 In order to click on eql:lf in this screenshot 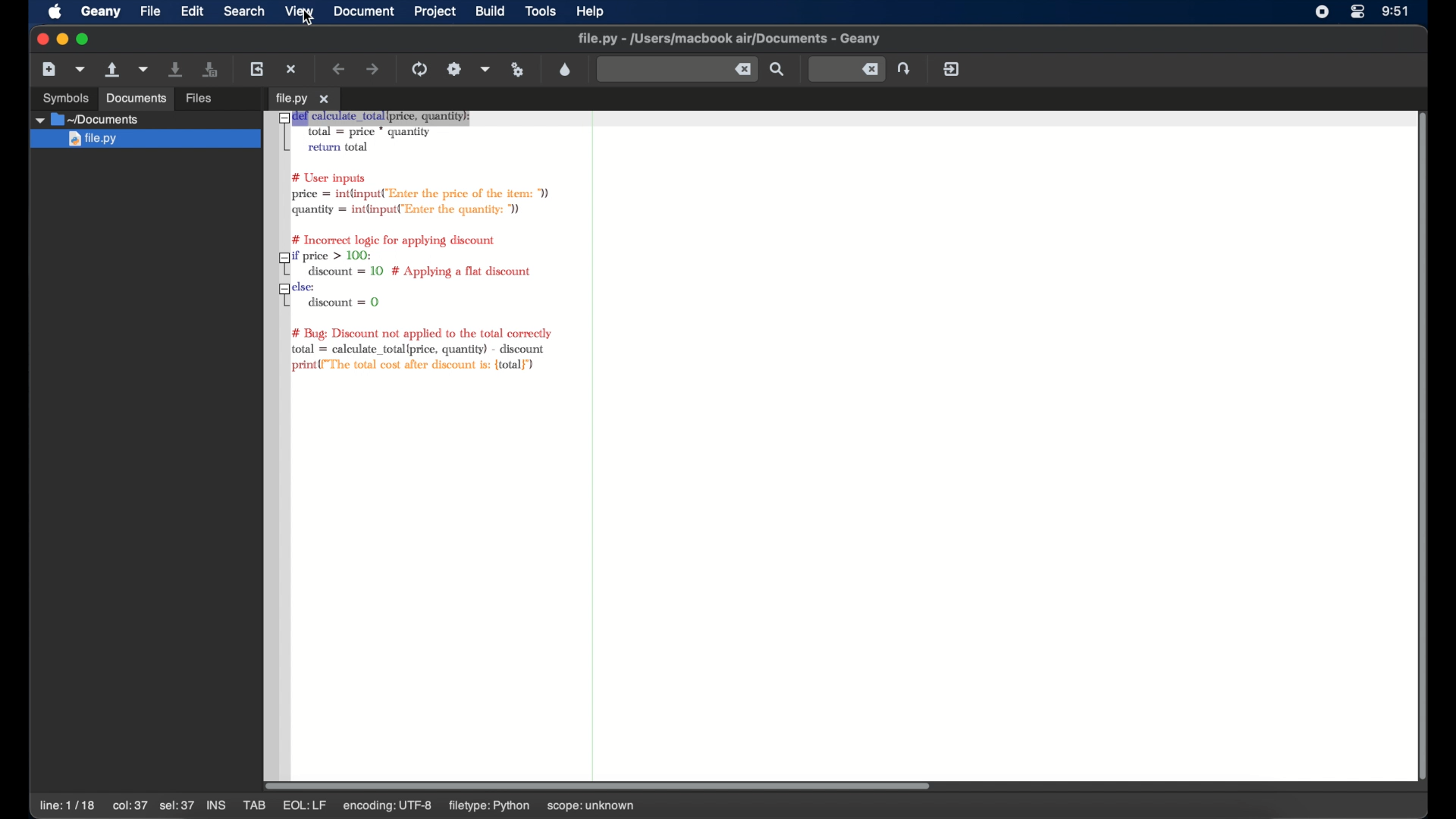, I will do `click(304, 805)`.